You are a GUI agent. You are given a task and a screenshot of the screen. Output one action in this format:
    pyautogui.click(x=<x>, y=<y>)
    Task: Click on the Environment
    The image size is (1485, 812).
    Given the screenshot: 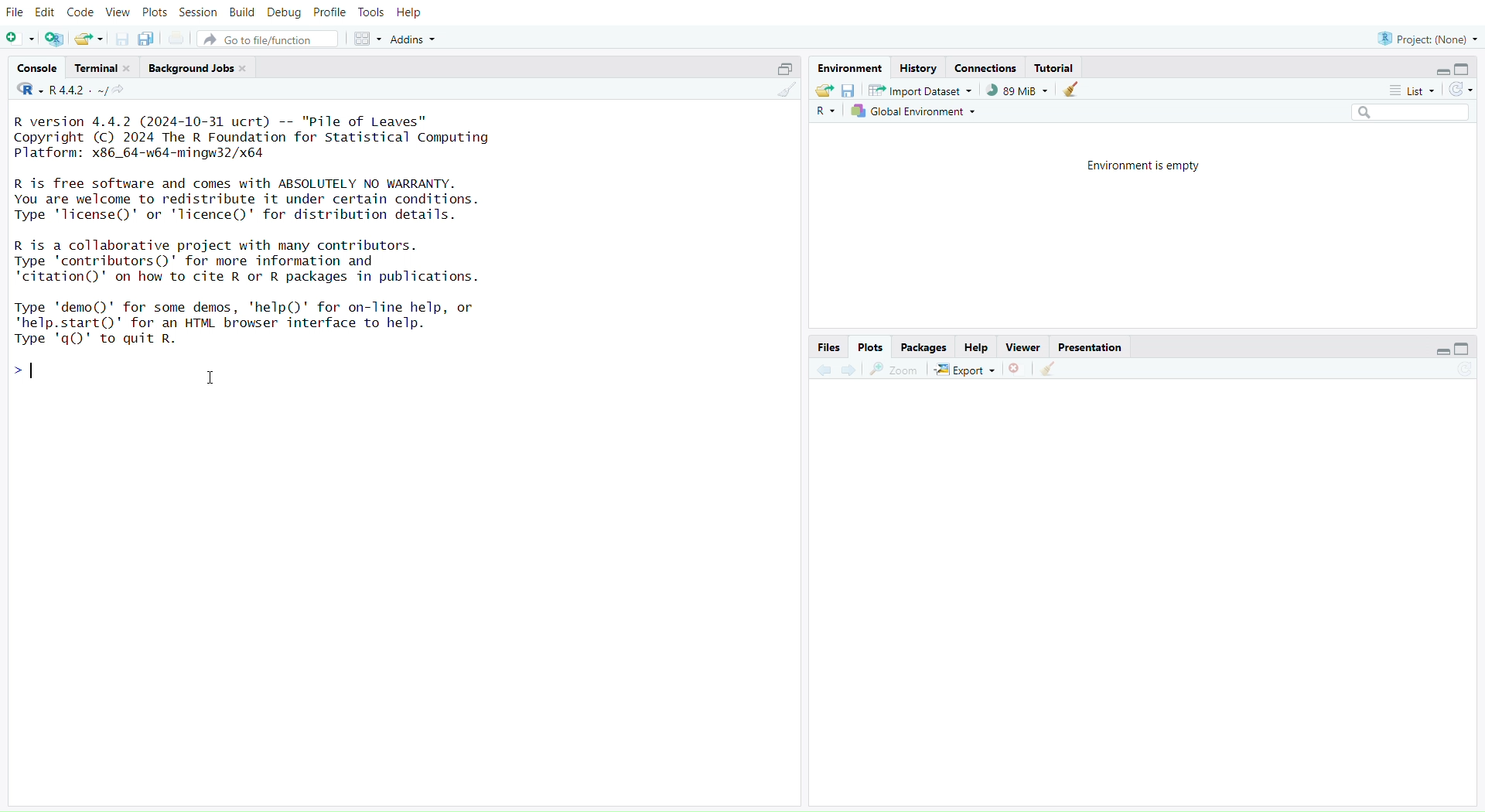 What is the action you would take?
    pyautogui.click(x=852, y=67)
    